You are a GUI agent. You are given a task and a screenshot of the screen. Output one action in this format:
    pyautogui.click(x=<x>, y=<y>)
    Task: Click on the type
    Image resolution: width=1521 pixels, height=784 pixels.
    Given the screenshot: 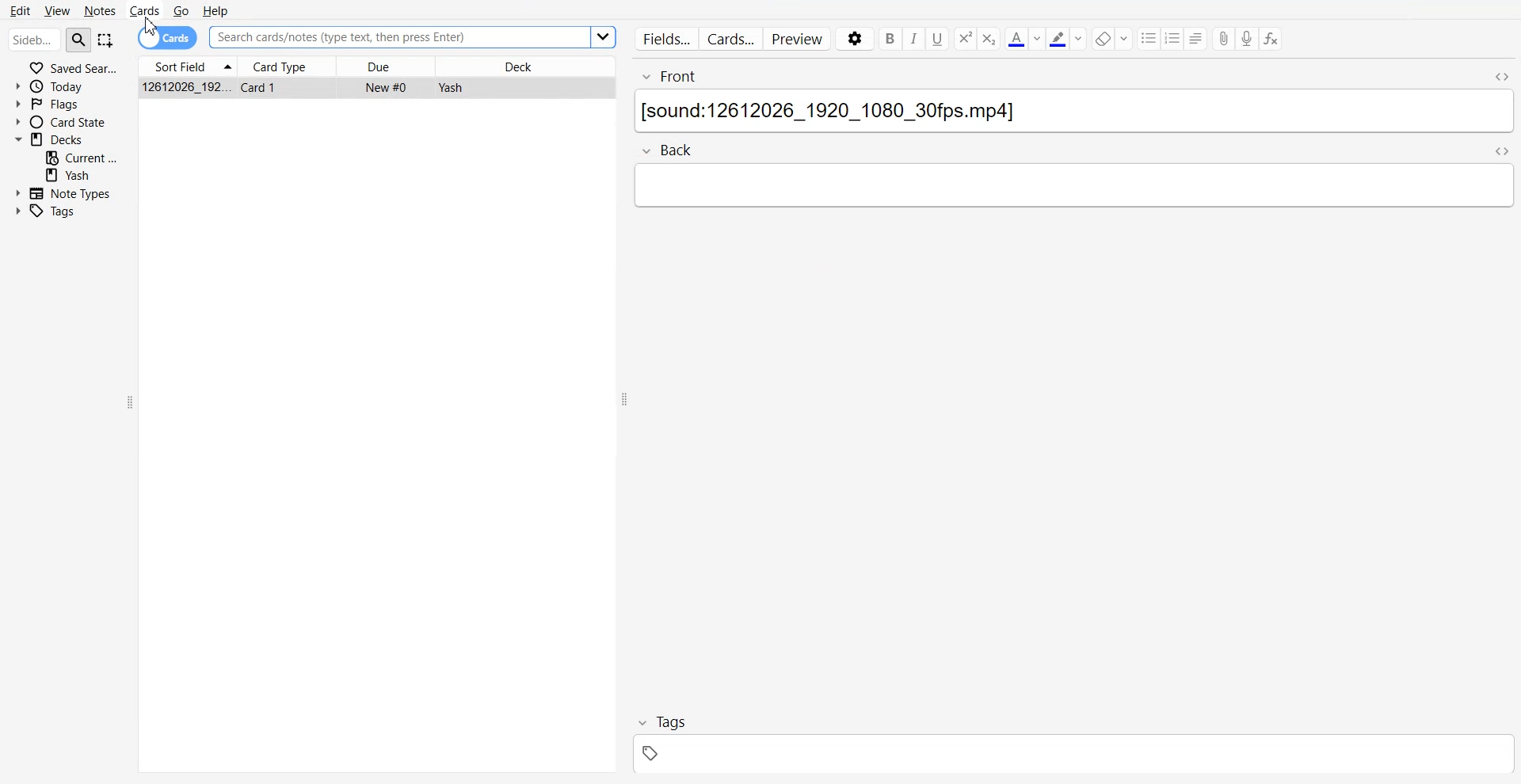 What is the action you would take?
    pyautogui.click(x=1074, y=187)
    